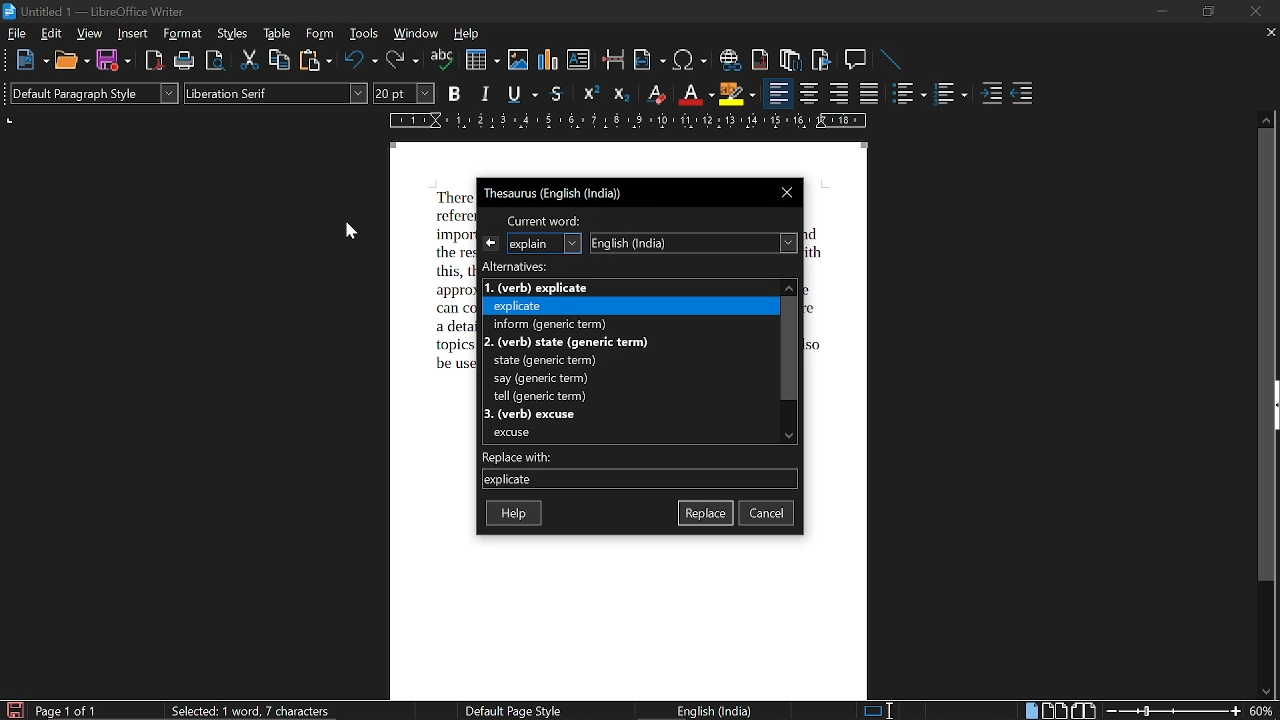  I want to click on vertical scrollbar, so click(789, 350).